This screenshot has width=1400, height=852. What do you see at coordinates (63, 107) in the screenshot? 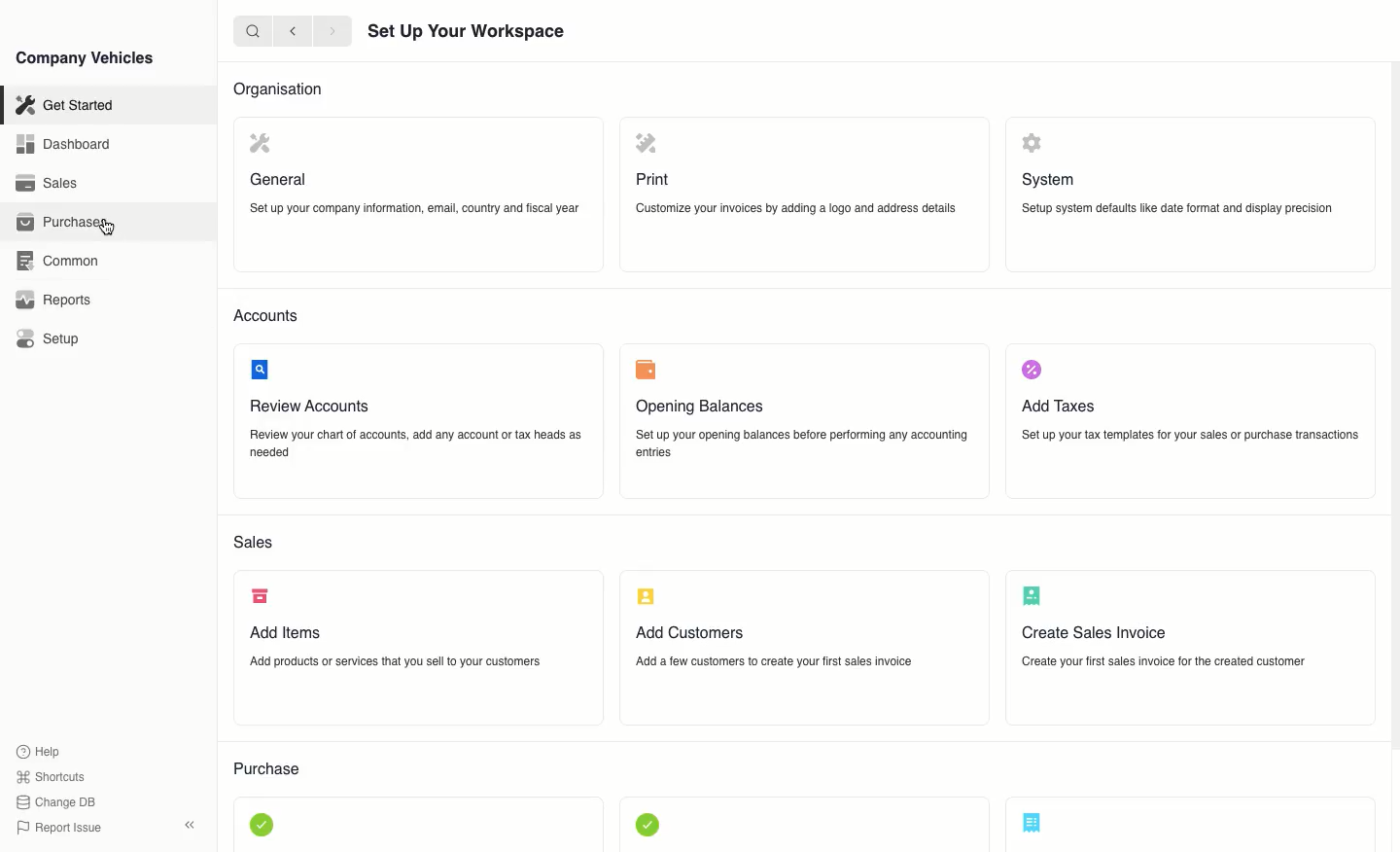
I see `Get Started` at bounding box center [63, 107].